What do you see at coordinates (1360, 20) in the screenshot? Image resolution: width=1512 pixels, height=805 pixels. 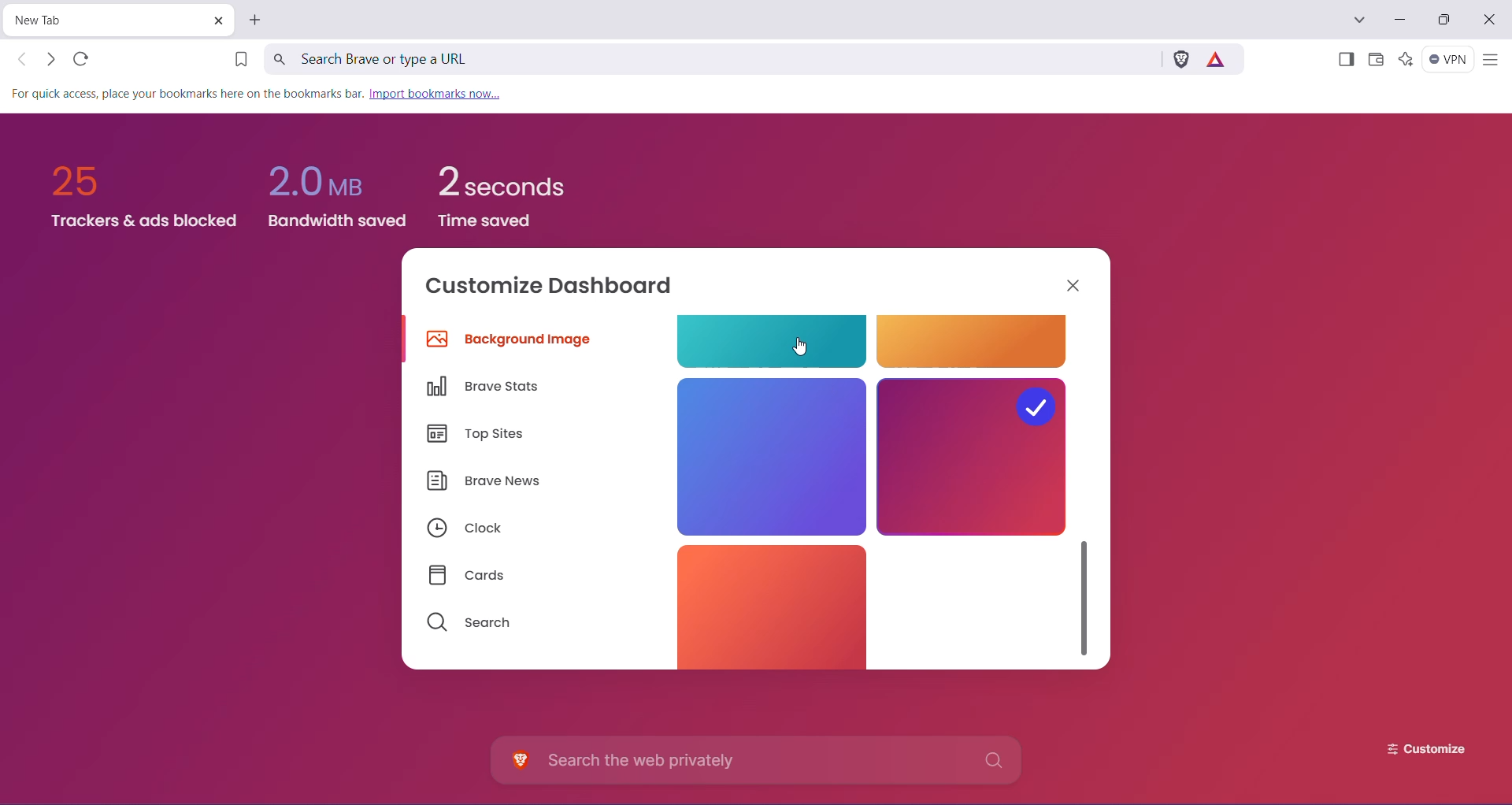 I see `Search Tabs` at bounding box center [1360, 20].